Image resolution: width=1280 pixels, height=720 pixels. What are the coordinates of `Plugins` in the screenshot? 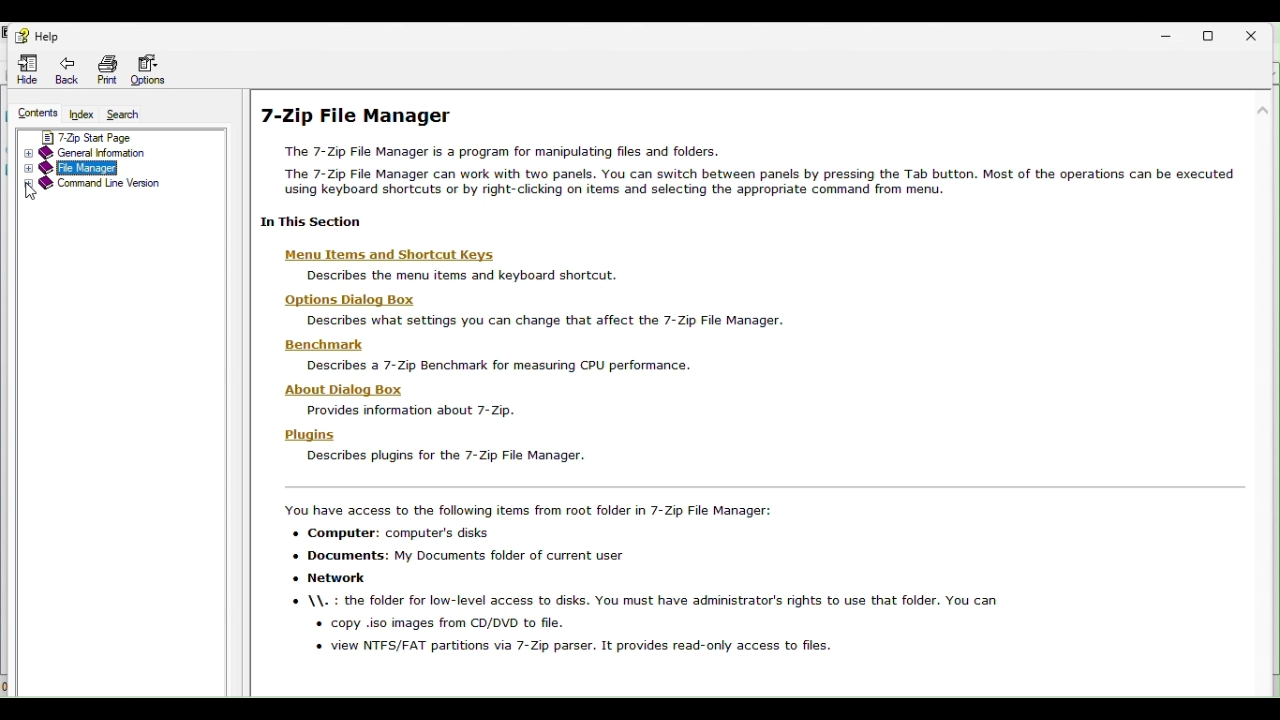 It's located at (311, 435).